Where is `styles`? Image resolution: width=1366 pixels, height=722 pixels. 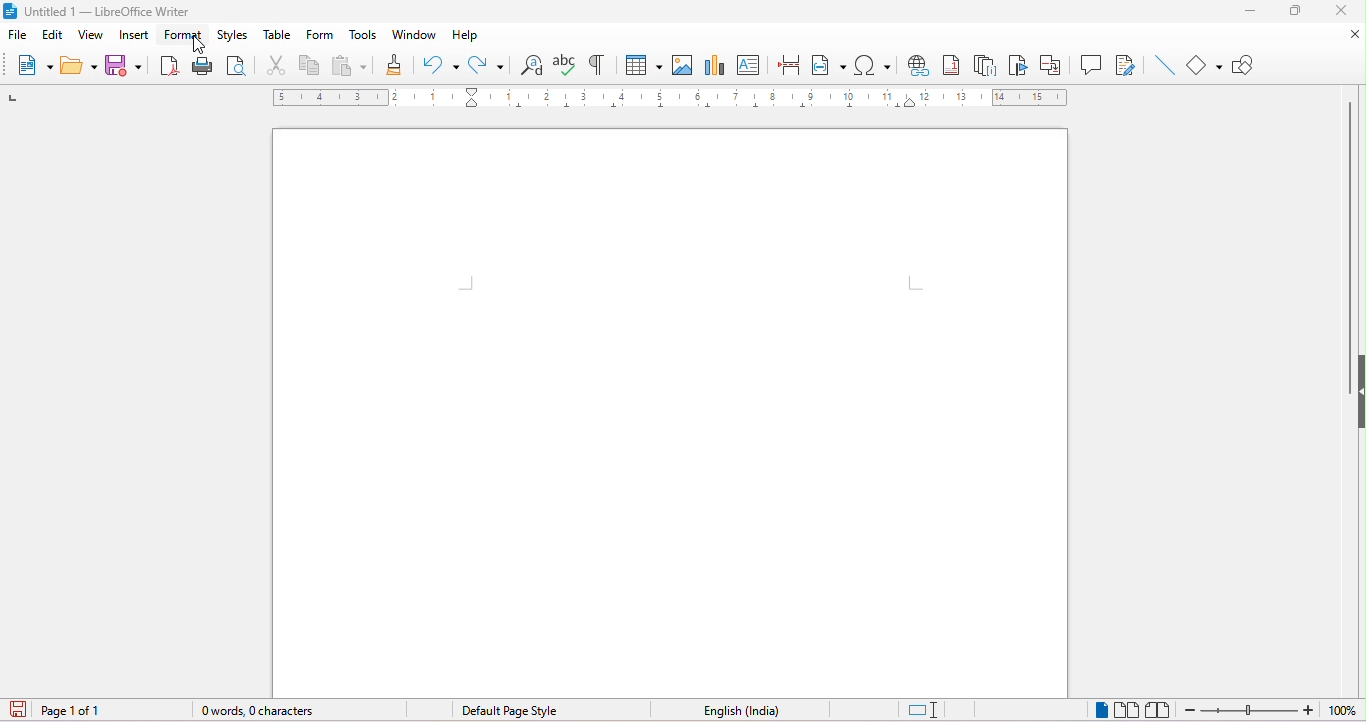
styles is located at coordinates (236, 37).